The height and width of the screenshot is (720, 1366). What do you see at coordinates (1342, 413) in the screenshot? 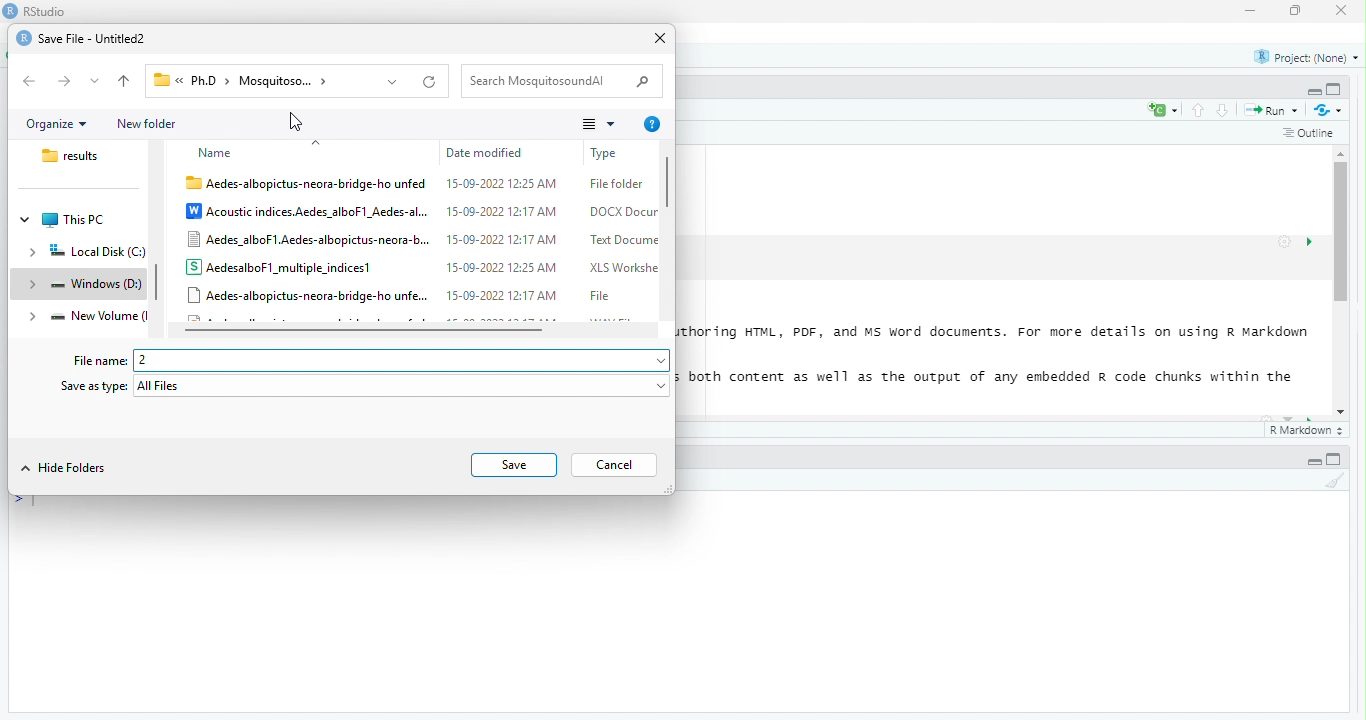
I see `scroll down` at bounding box center [1342, 413].